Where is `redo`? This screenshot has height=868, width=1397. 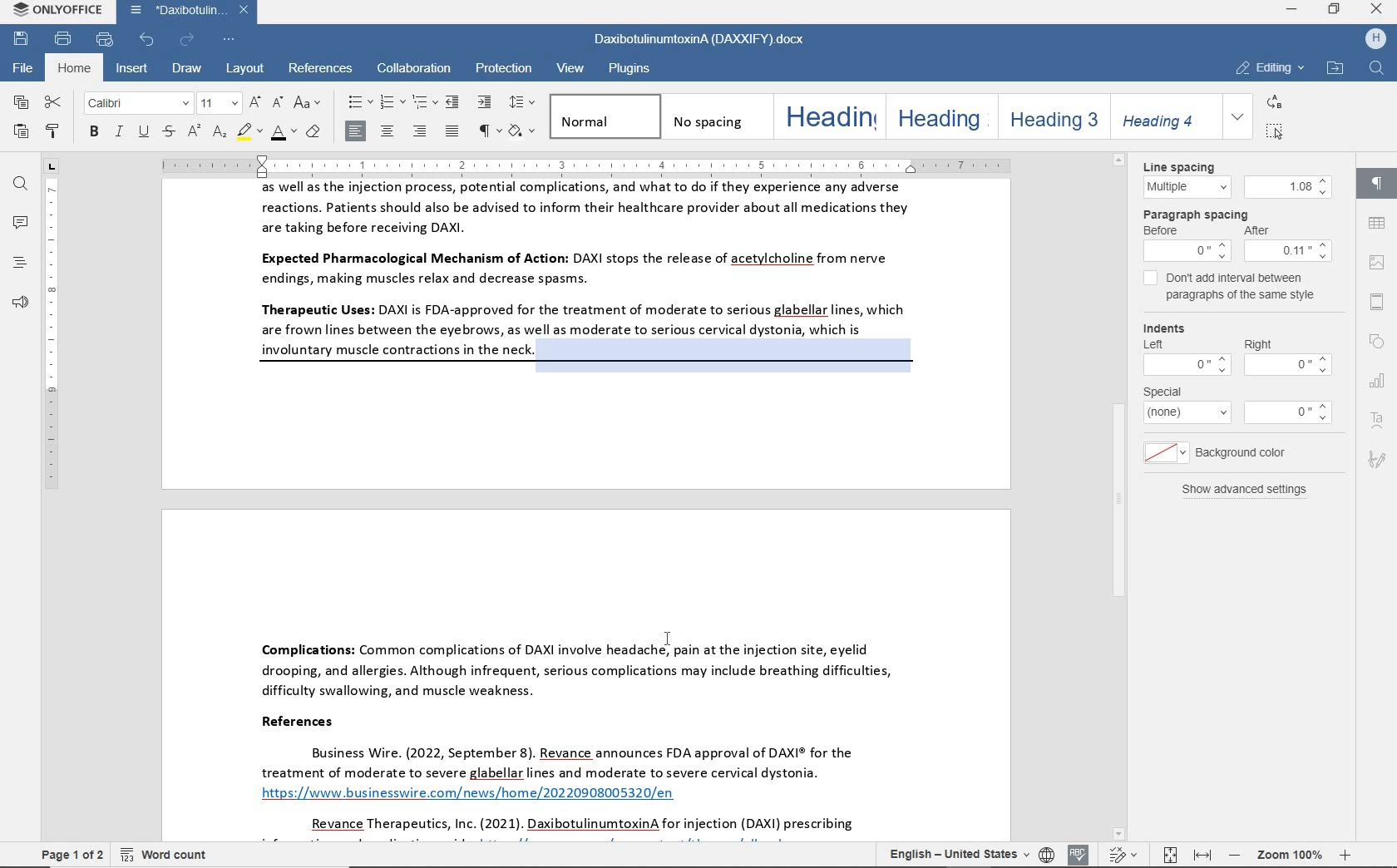
redo is located at coordinates (186, 40).